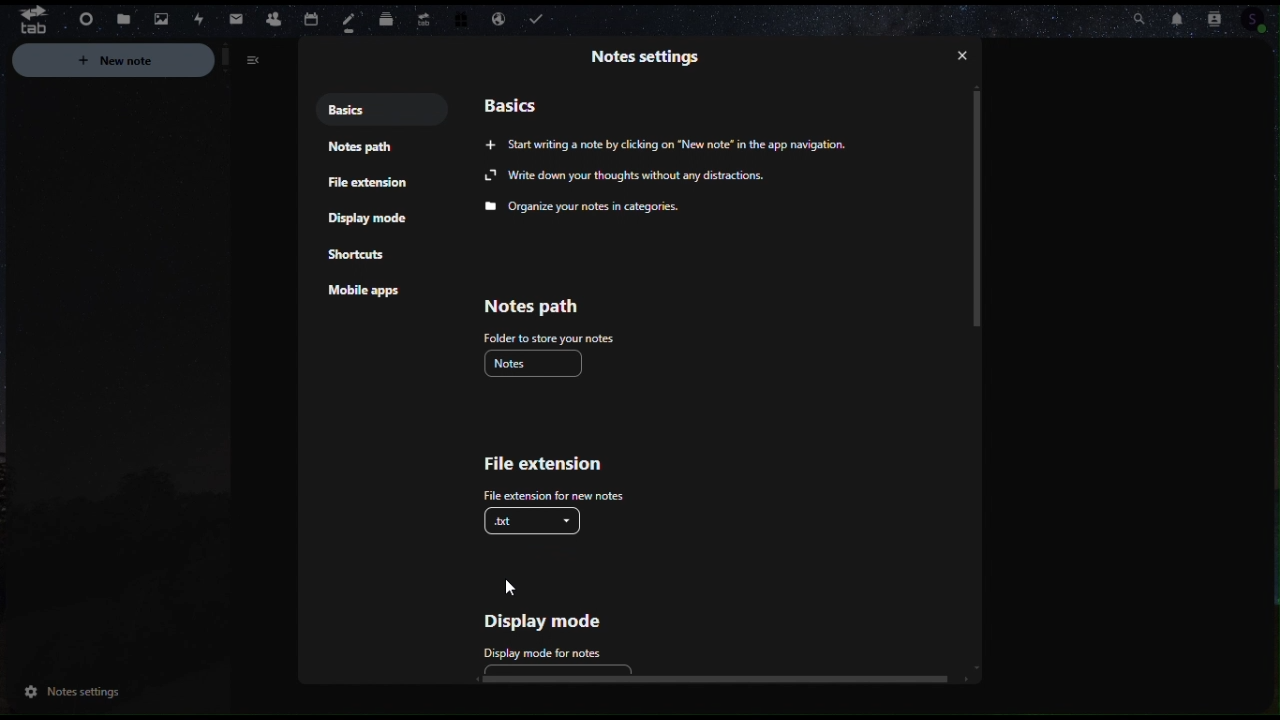 The height and width of the screenshot is (720, 1280). What do you see at coordinates (1223, 16) in the screenshot?
I see `Contacts` at bounding box center [1223, 16].